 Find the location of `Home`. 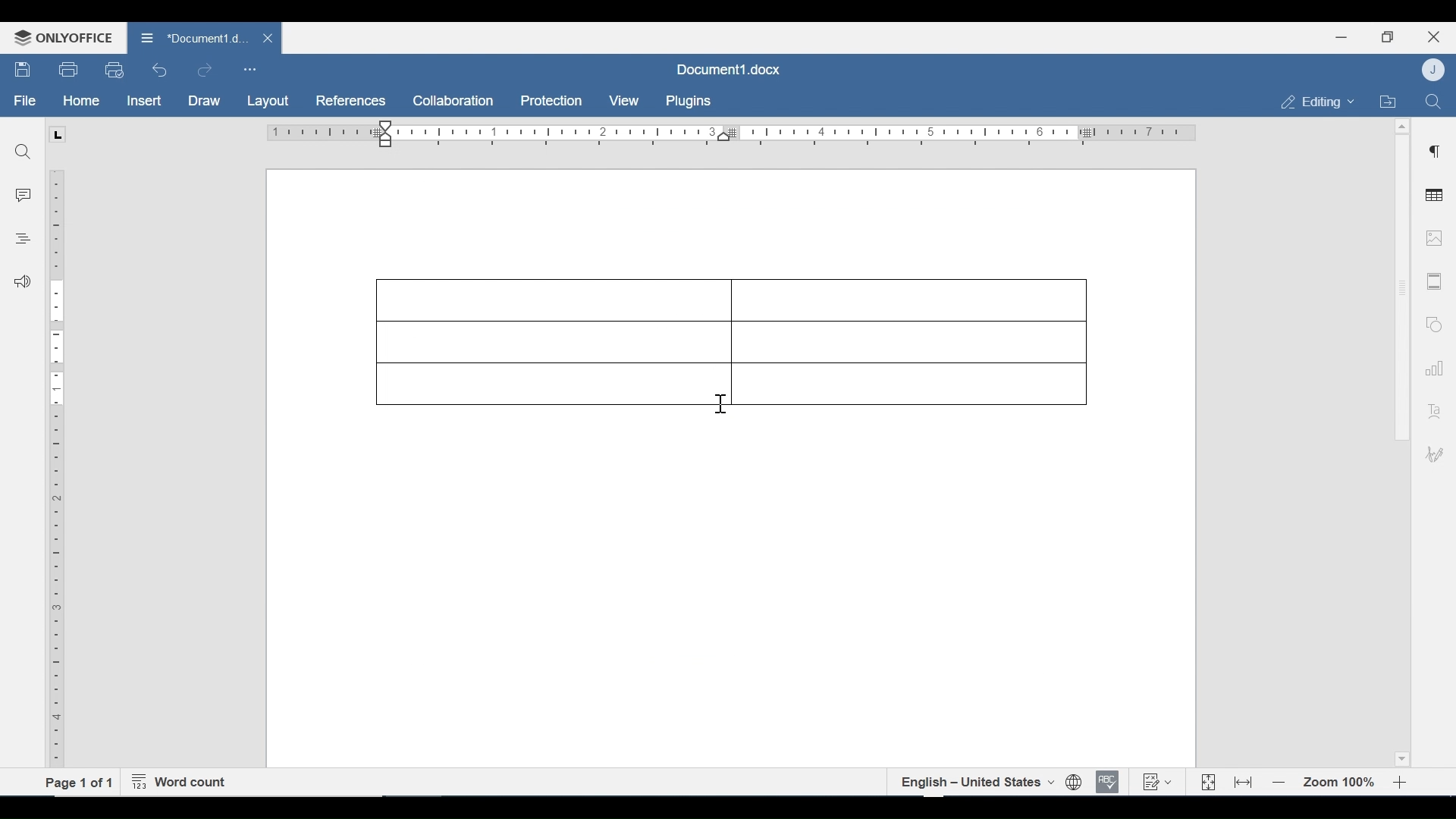

Home is located at coordinates (81, 101).